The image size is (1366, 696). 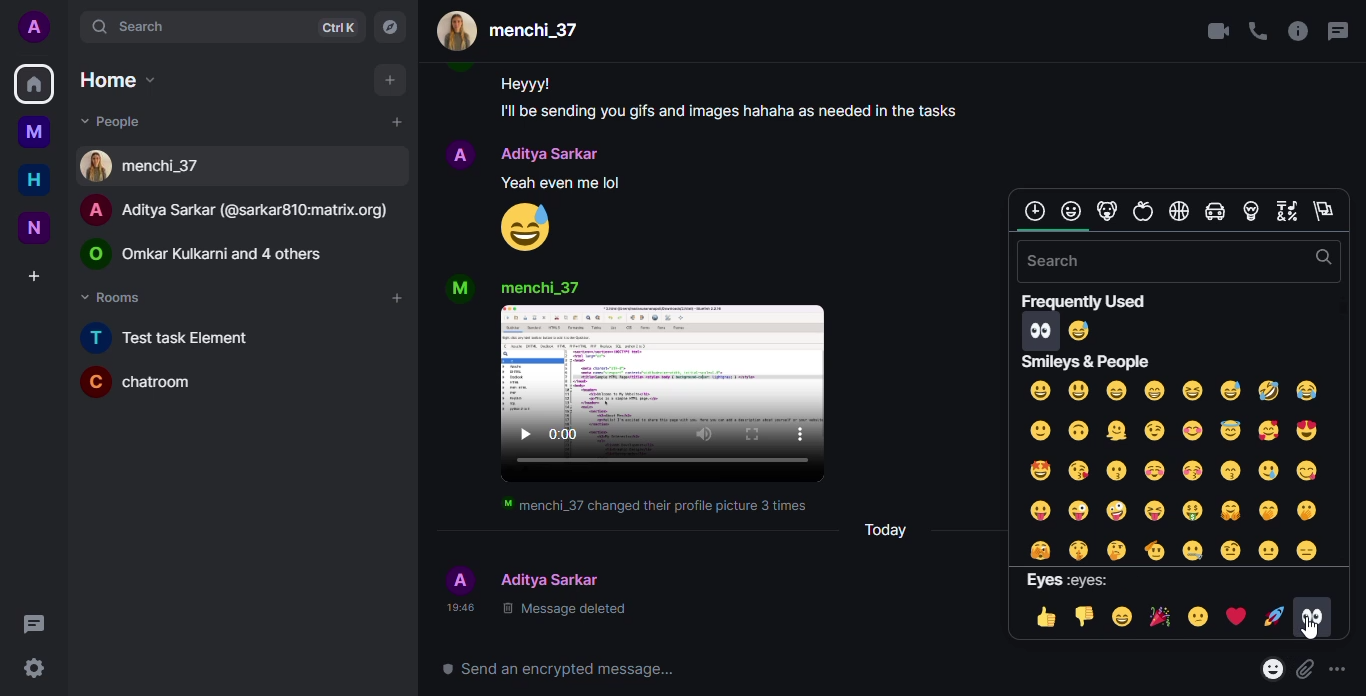 What do you see at coordinates (243, 210) in the screenshot?
I see `people` at bounding box center [243, 210].